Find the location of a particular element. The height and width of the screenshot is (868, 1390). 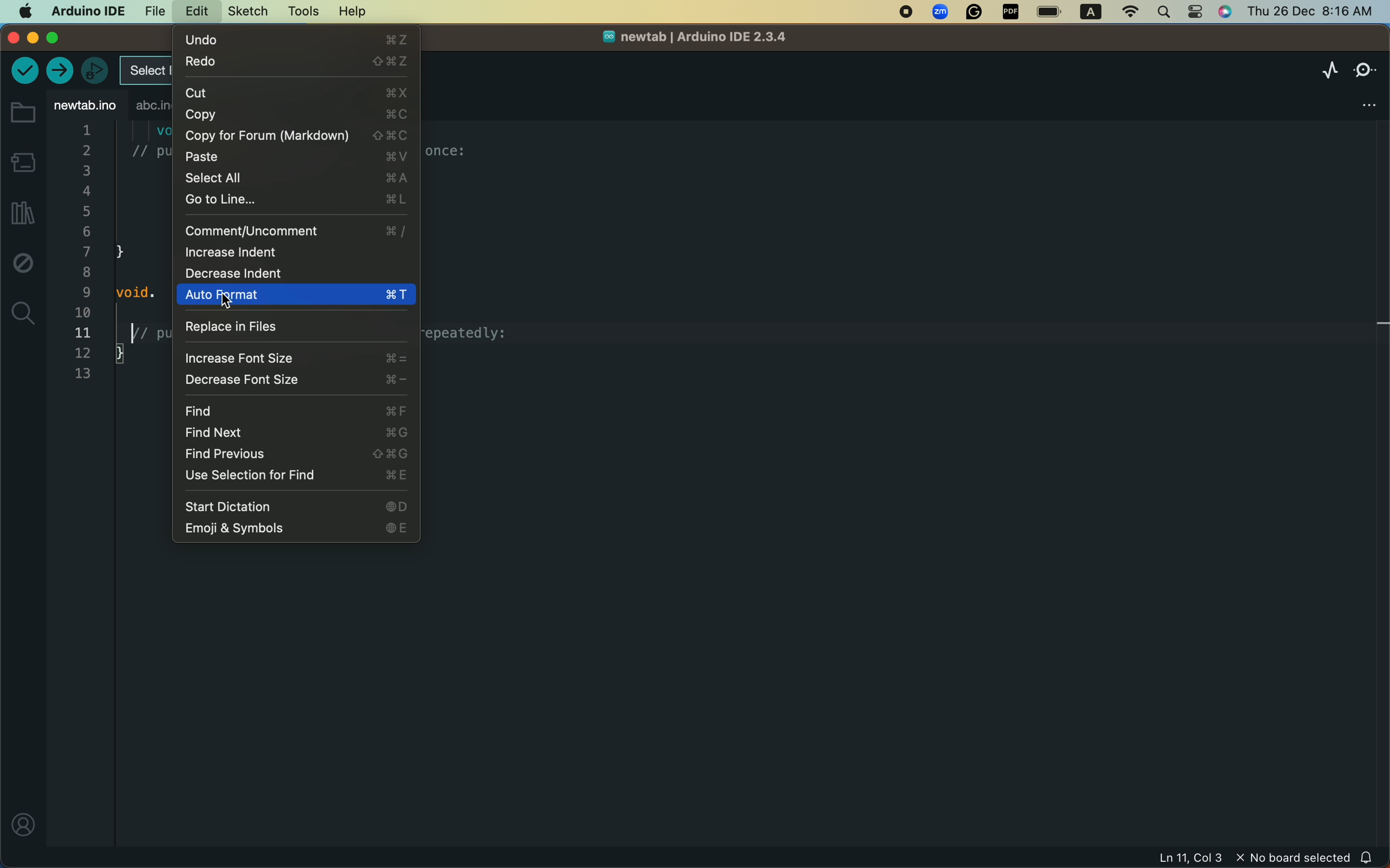

folder is located at coordinates (22, 113).